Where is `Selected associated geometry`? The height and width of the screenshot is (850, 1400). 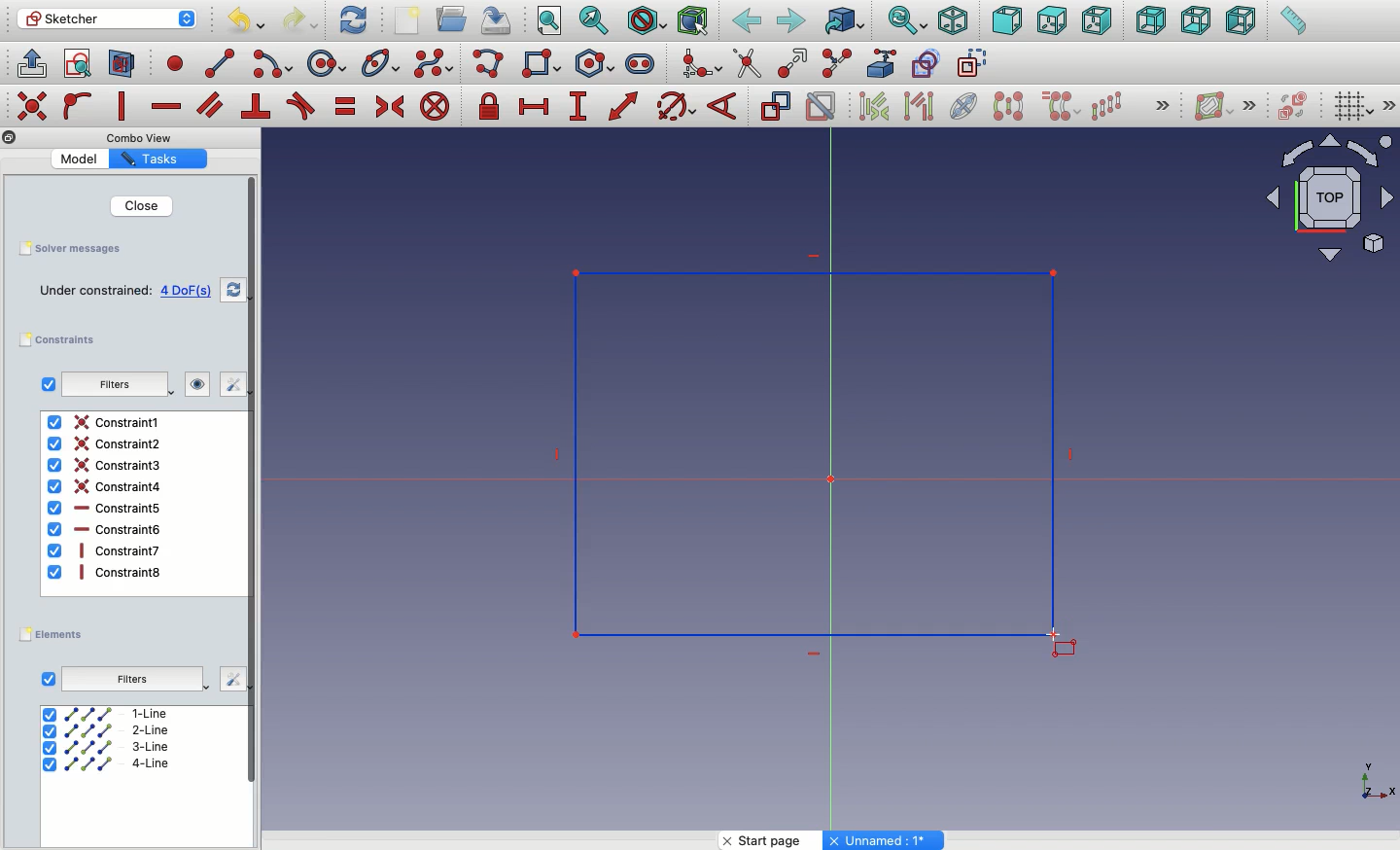 Selected associated geometry is located at coordinates (917, 105).